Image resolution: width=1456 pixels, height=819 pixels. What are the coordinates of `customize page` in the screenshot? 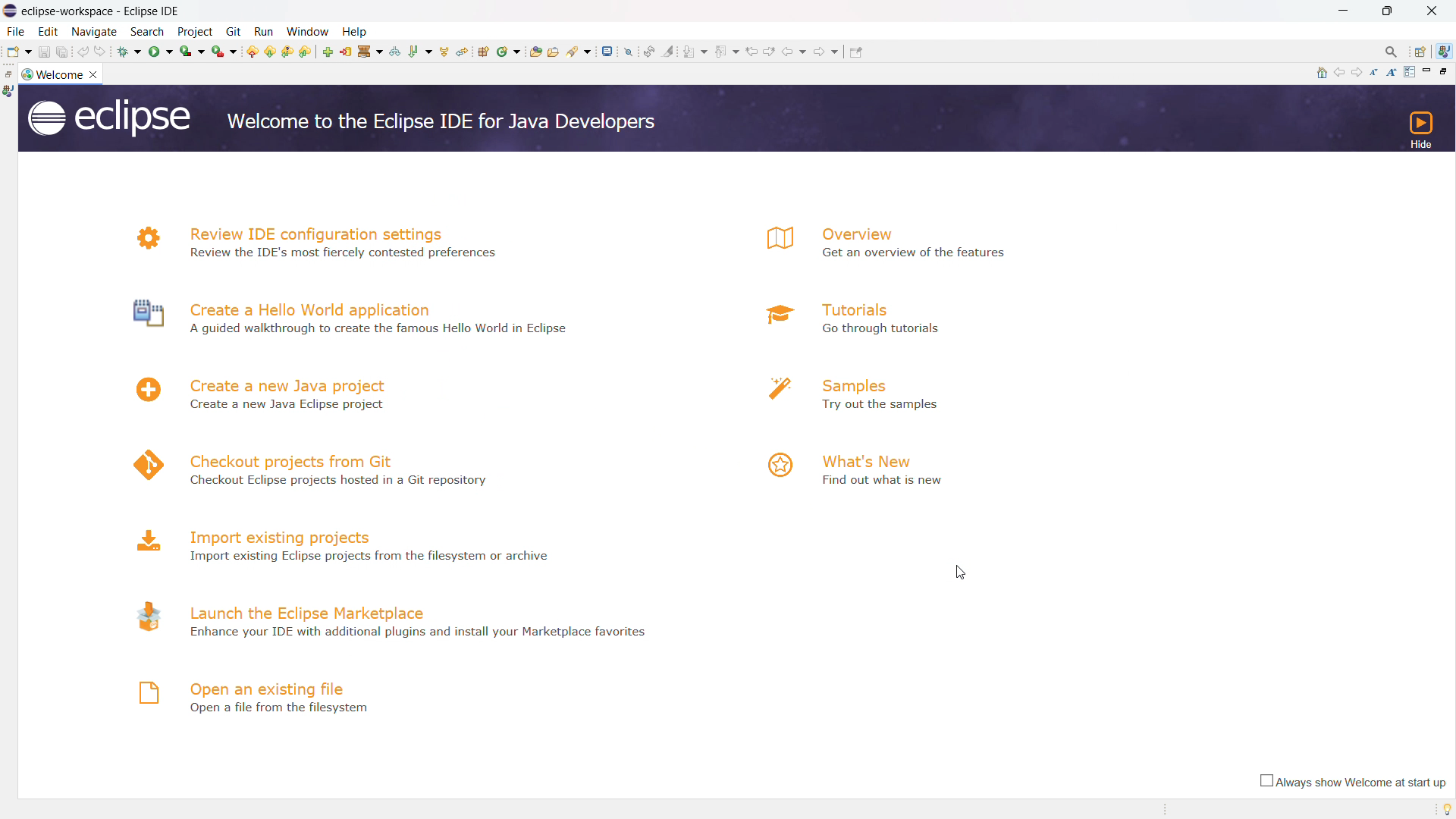 It's located at (1409, 72).